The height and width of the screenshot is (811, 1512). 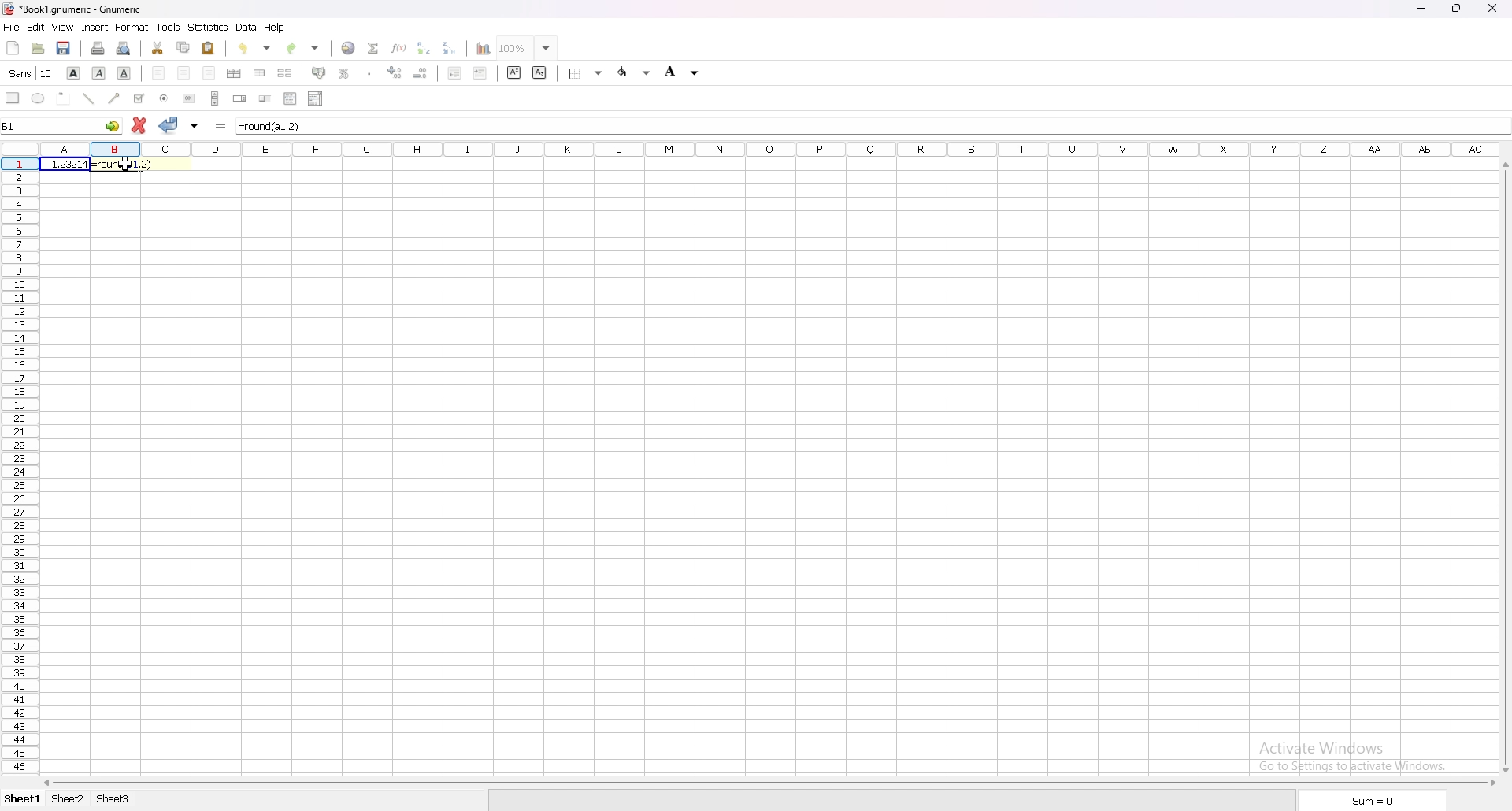 I want to click on font, so click(x=32, y=73).